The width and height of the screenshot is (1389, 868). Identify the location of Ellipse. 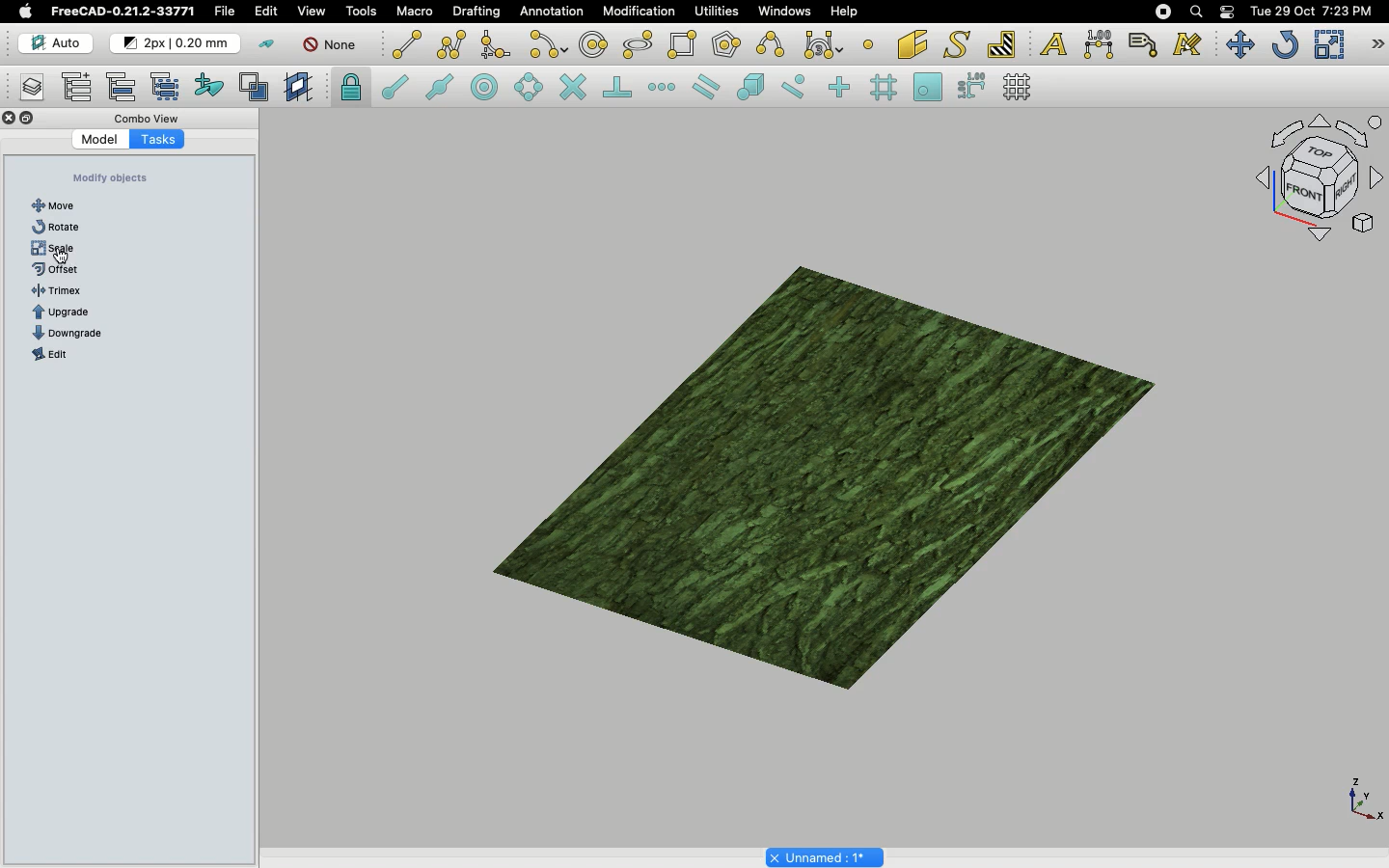
(636, 43).